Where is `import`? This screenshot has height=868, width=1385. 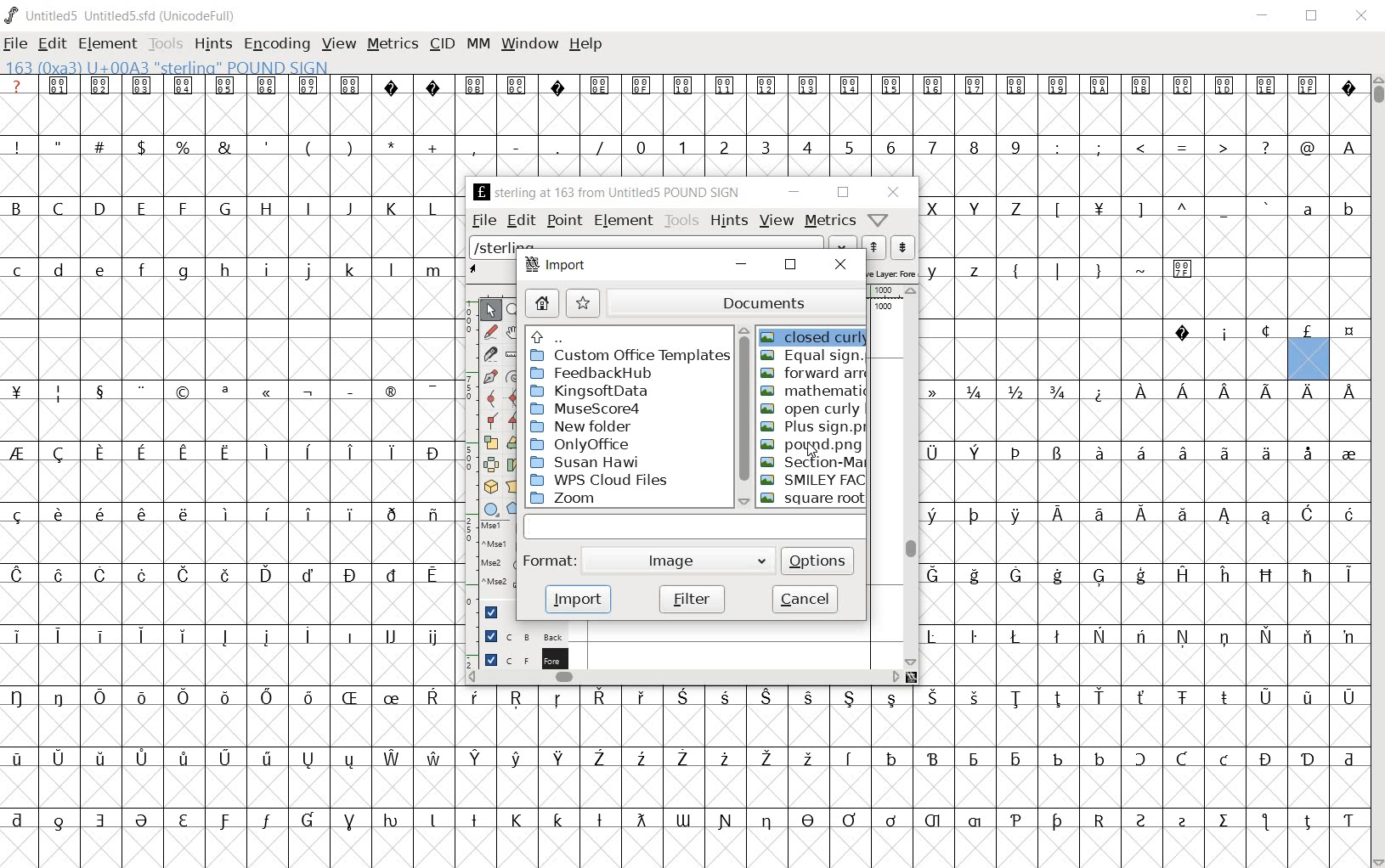 import is located at coordinates (574, 601).